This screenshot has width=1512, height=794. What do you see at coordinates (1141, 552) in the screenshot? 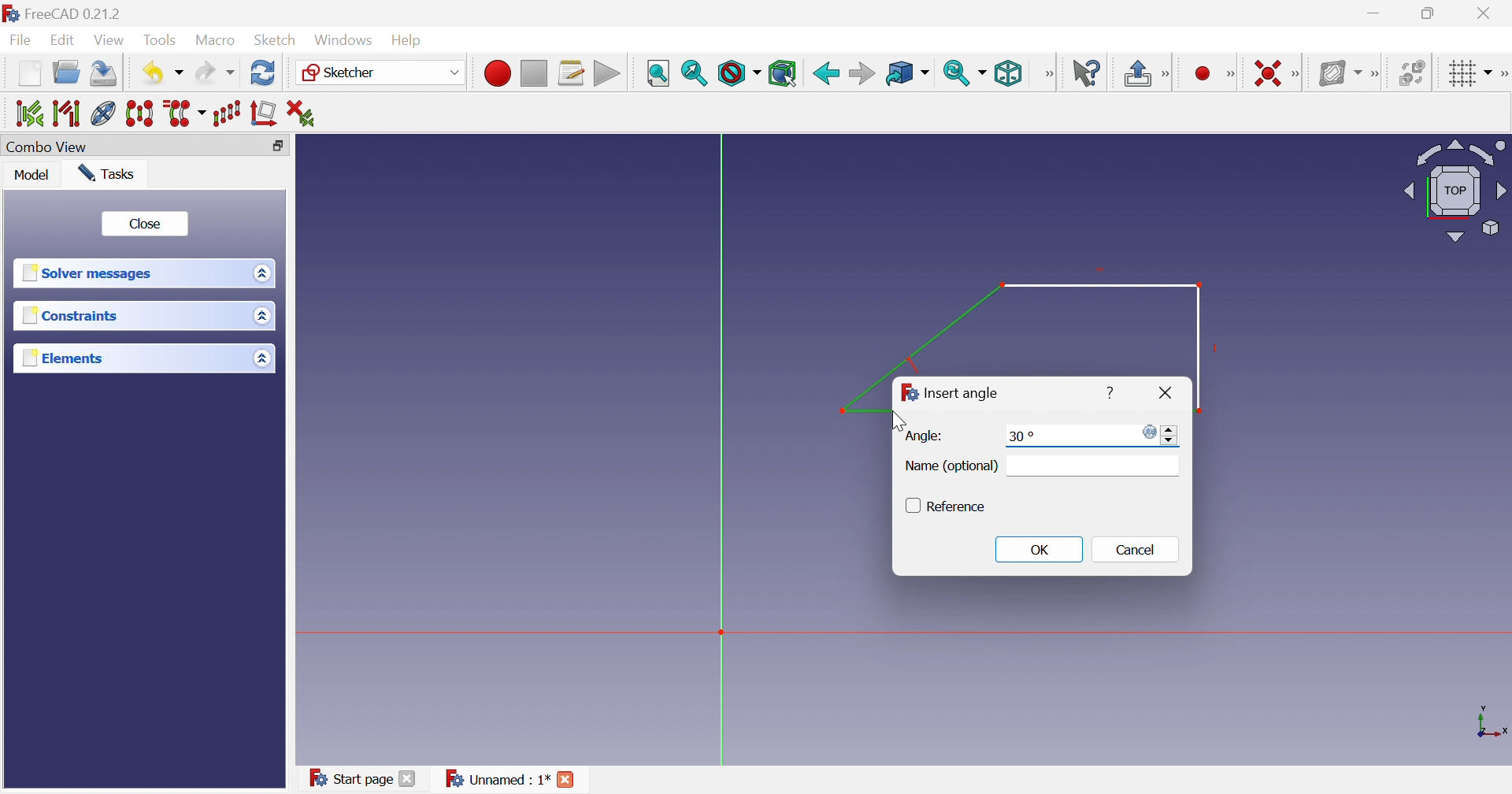
I see `Cancel` at bounding box center [1141, 552].